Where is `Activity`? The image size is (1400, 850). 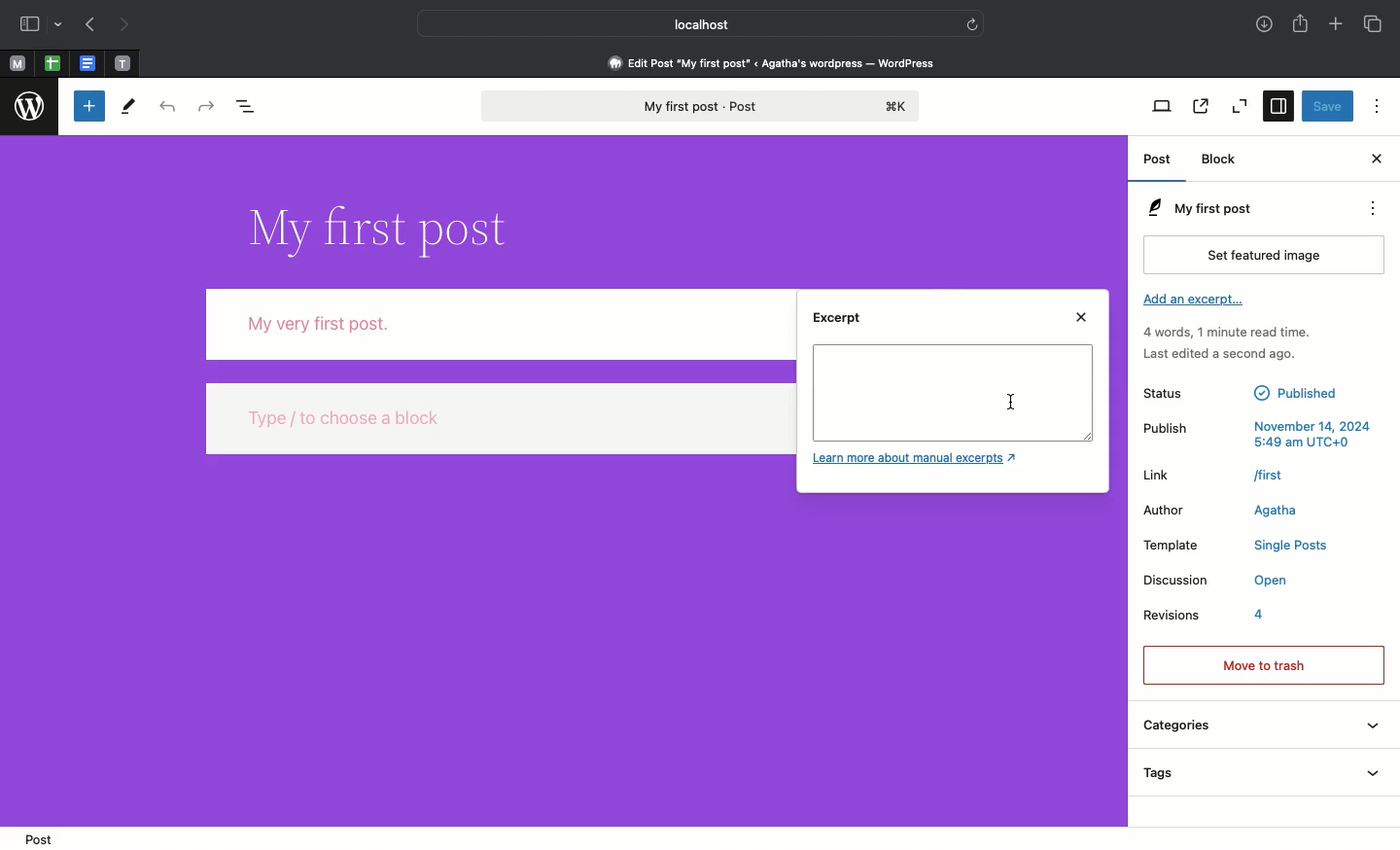 Activity is located at coordinates (1226, 343).